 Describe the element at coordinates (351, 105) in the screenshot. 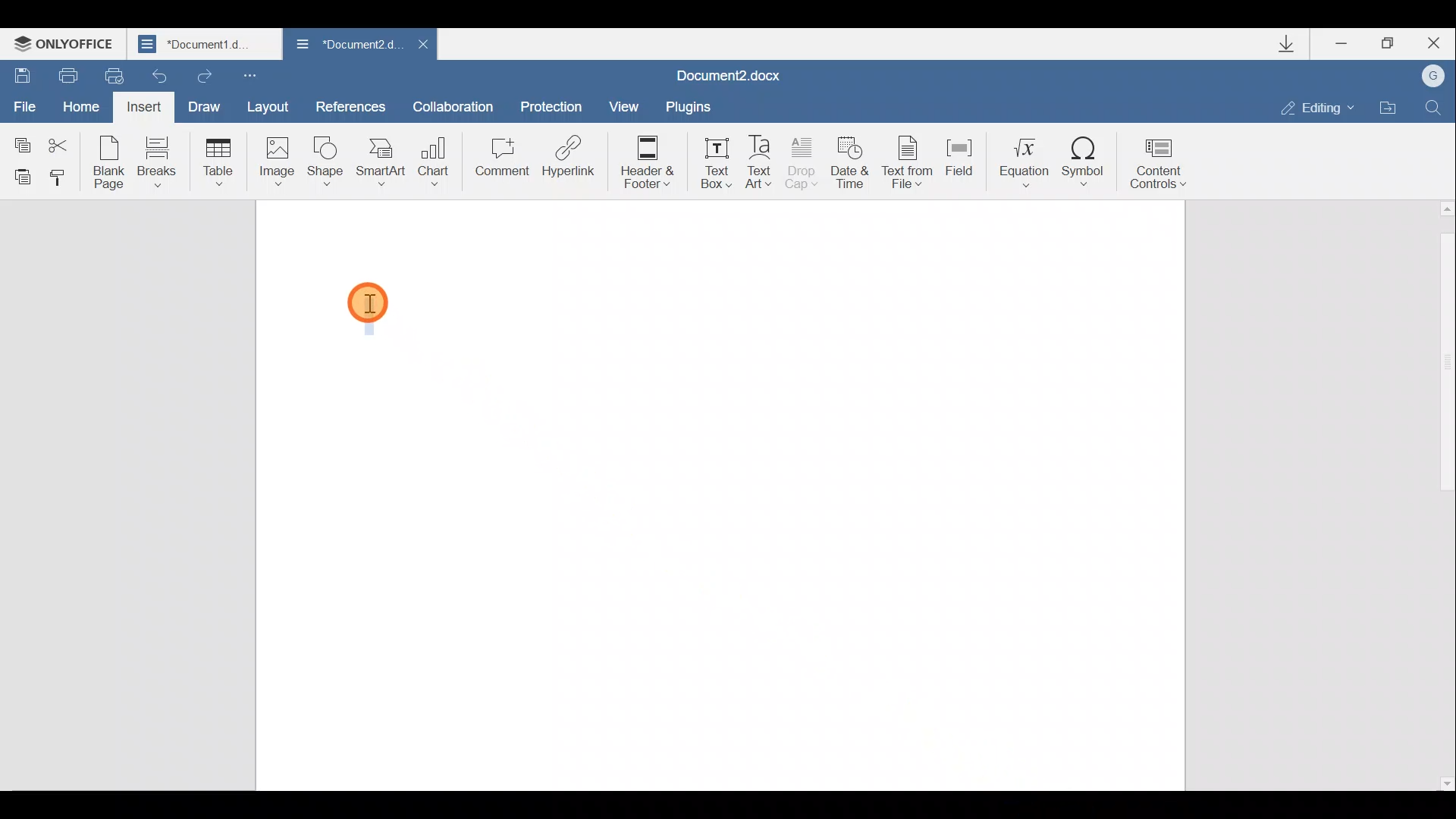

I see `References` at that location.